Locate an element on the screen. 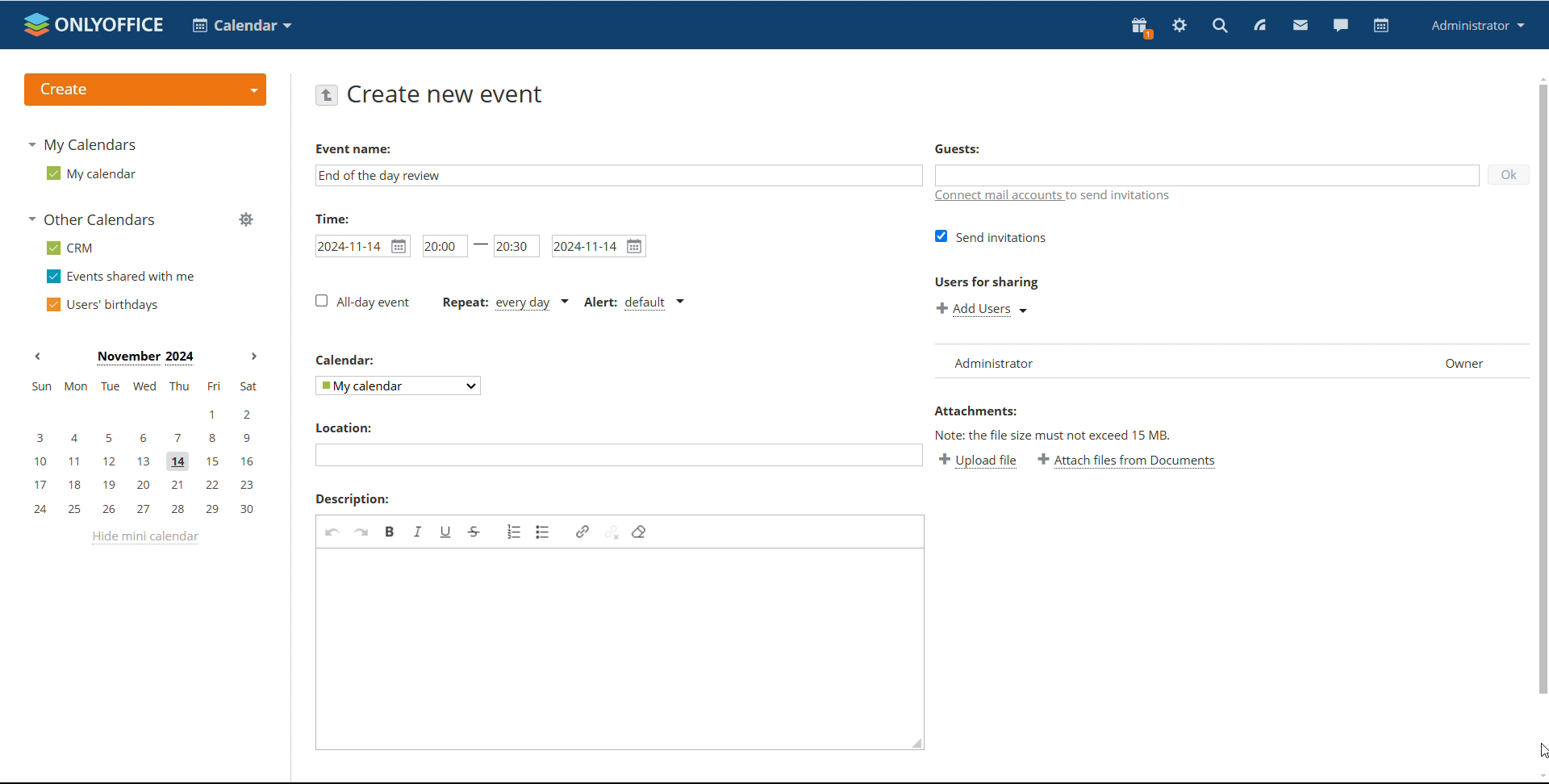 This screenshot has width=1549, height=784. users for sharing is located at coordinates (987, 281).